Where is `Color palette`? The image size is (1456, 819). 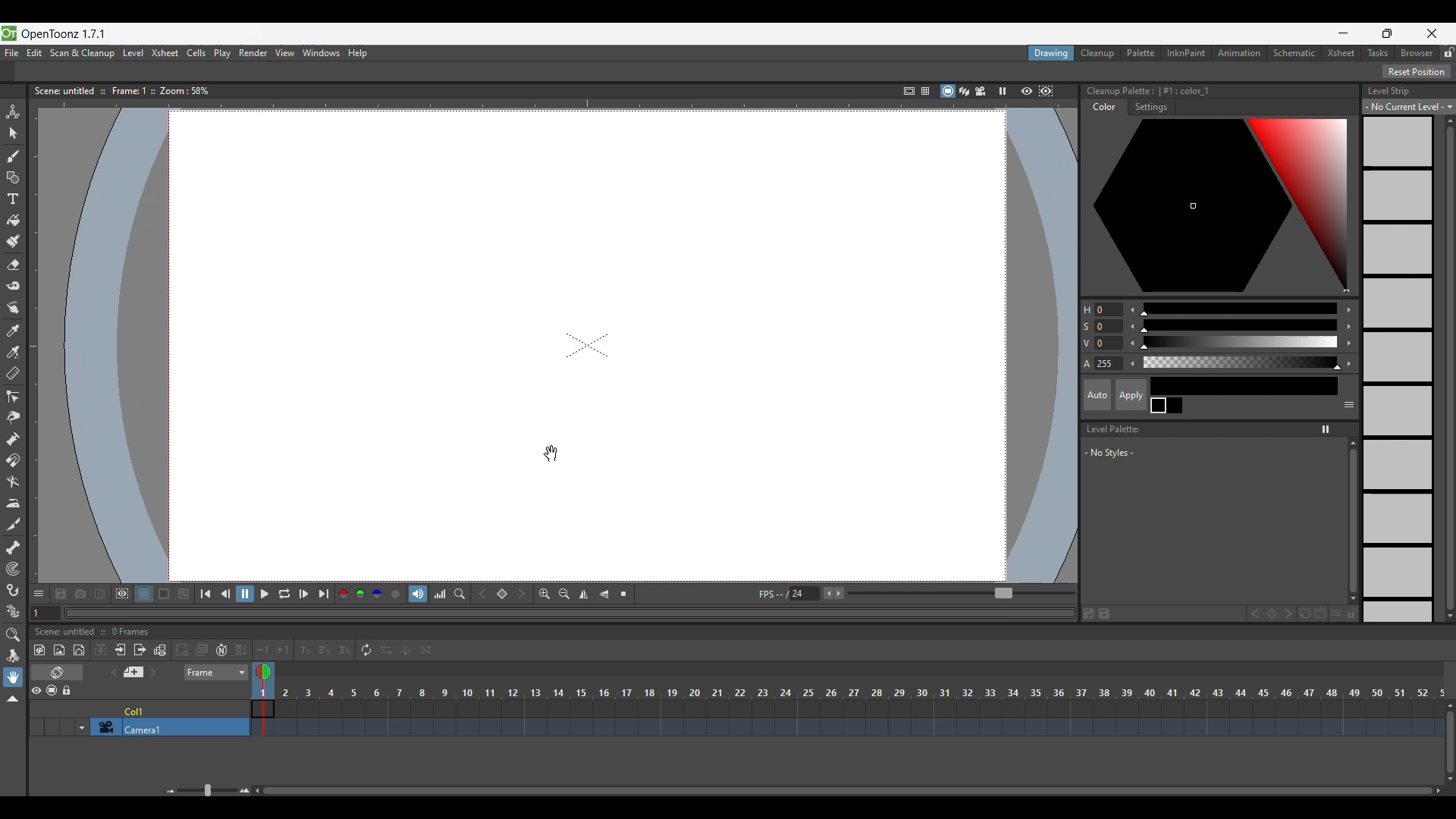
Color palette is located at coordinates (1216, 206).